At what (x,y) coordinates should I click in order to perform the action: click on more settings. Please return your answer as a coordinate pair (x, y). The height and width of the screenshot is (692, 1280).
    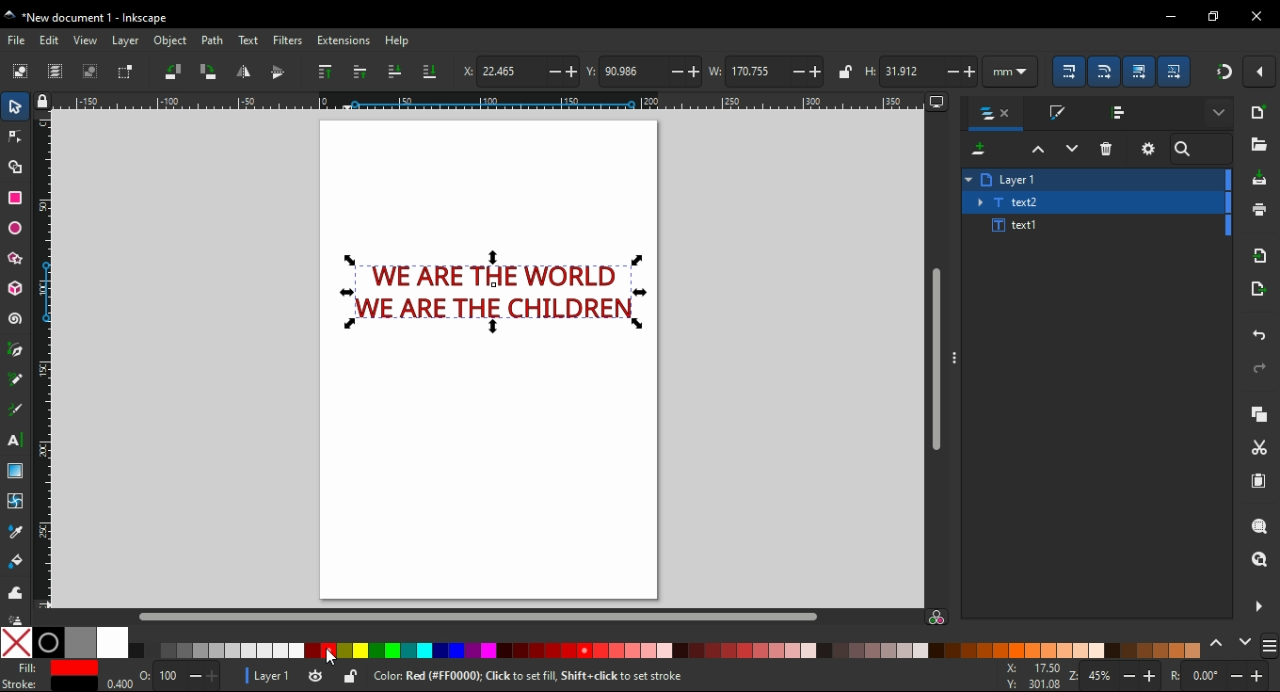
    Looking at the image, I should click on (1269, 646).